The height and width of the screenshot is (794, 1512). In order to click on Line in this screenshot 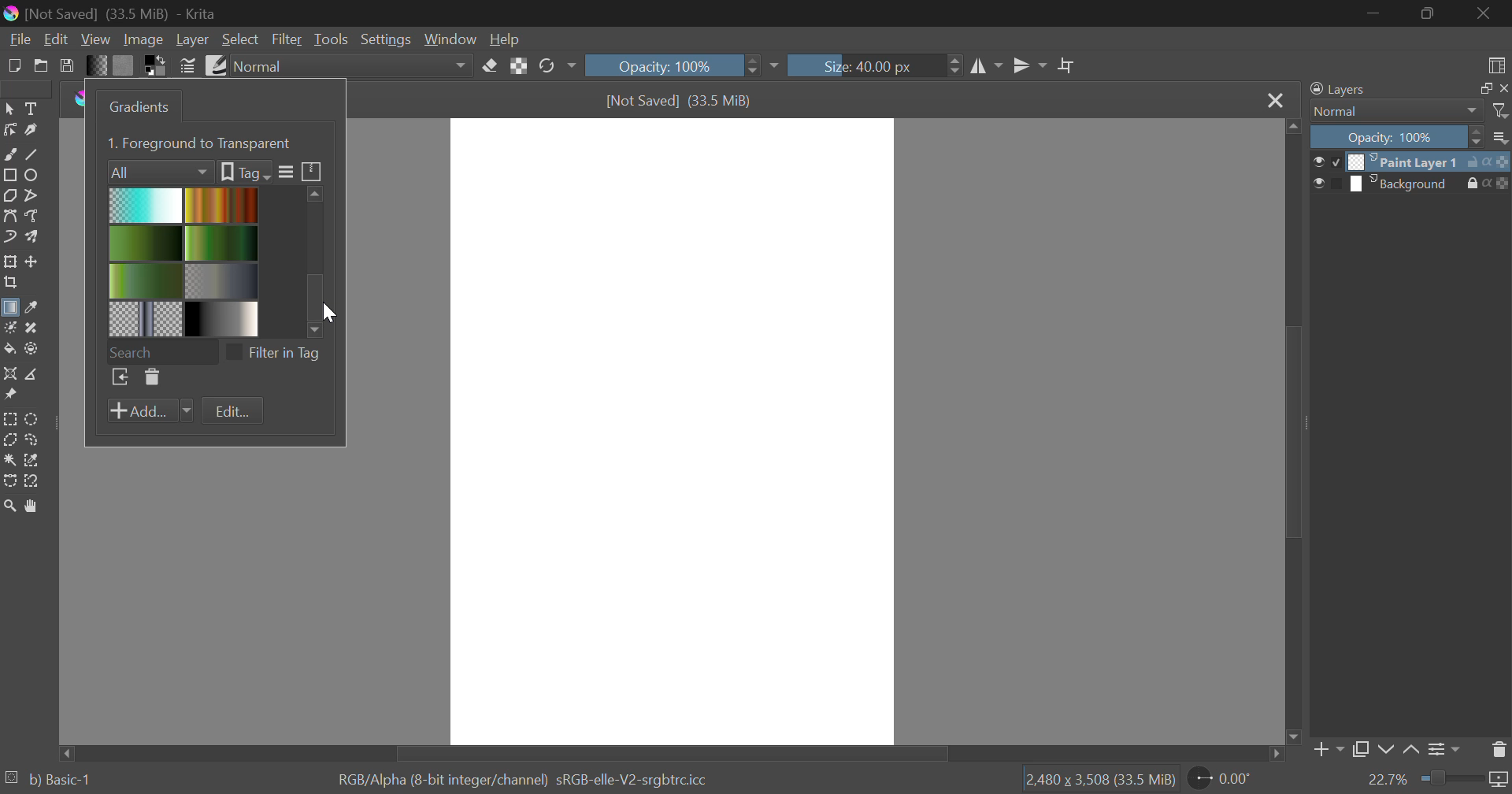, I will do `click(32, 153)`.